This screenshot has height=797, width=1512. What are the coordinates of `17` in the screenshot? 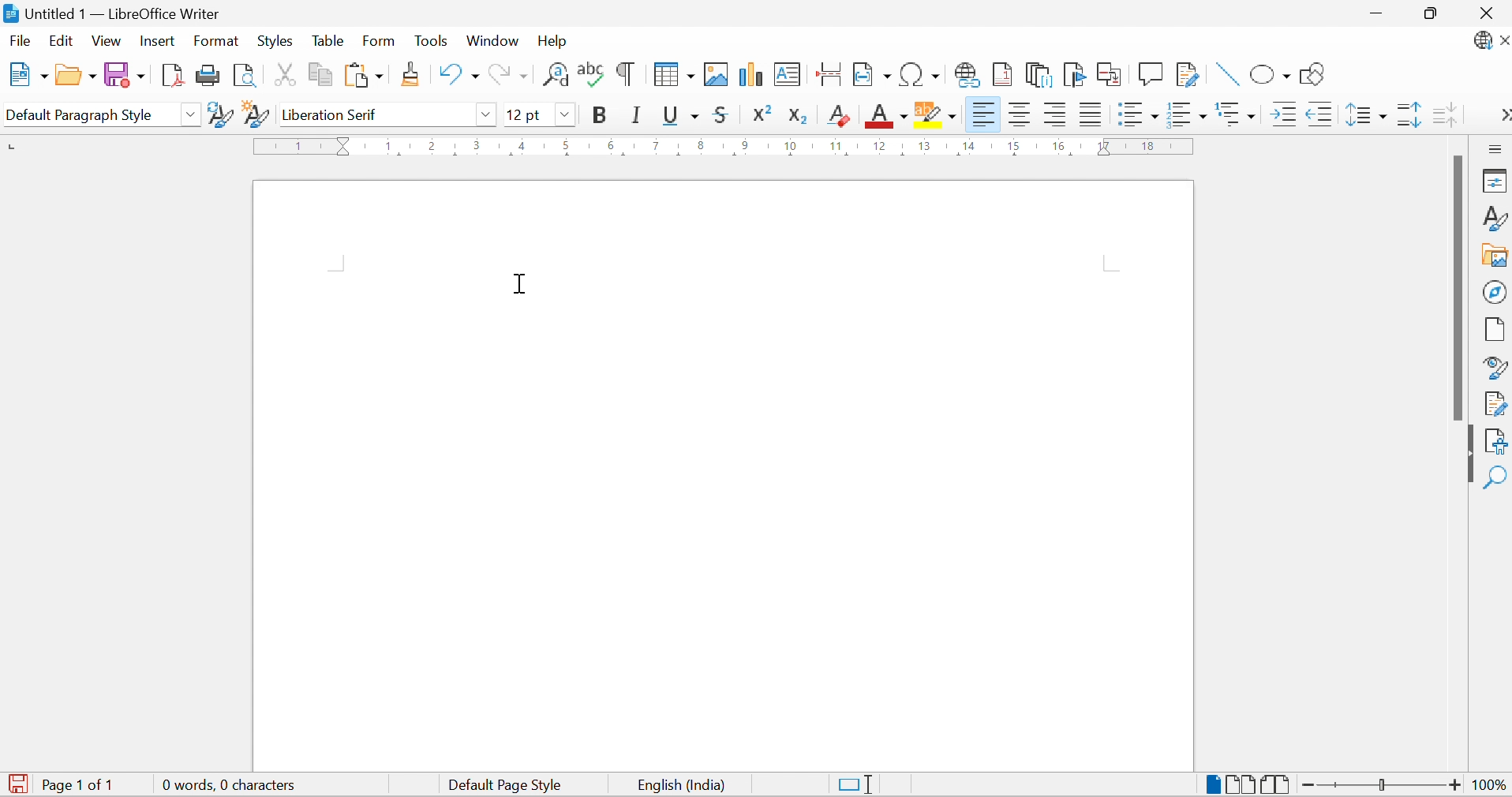 It's located at (1105, 146).